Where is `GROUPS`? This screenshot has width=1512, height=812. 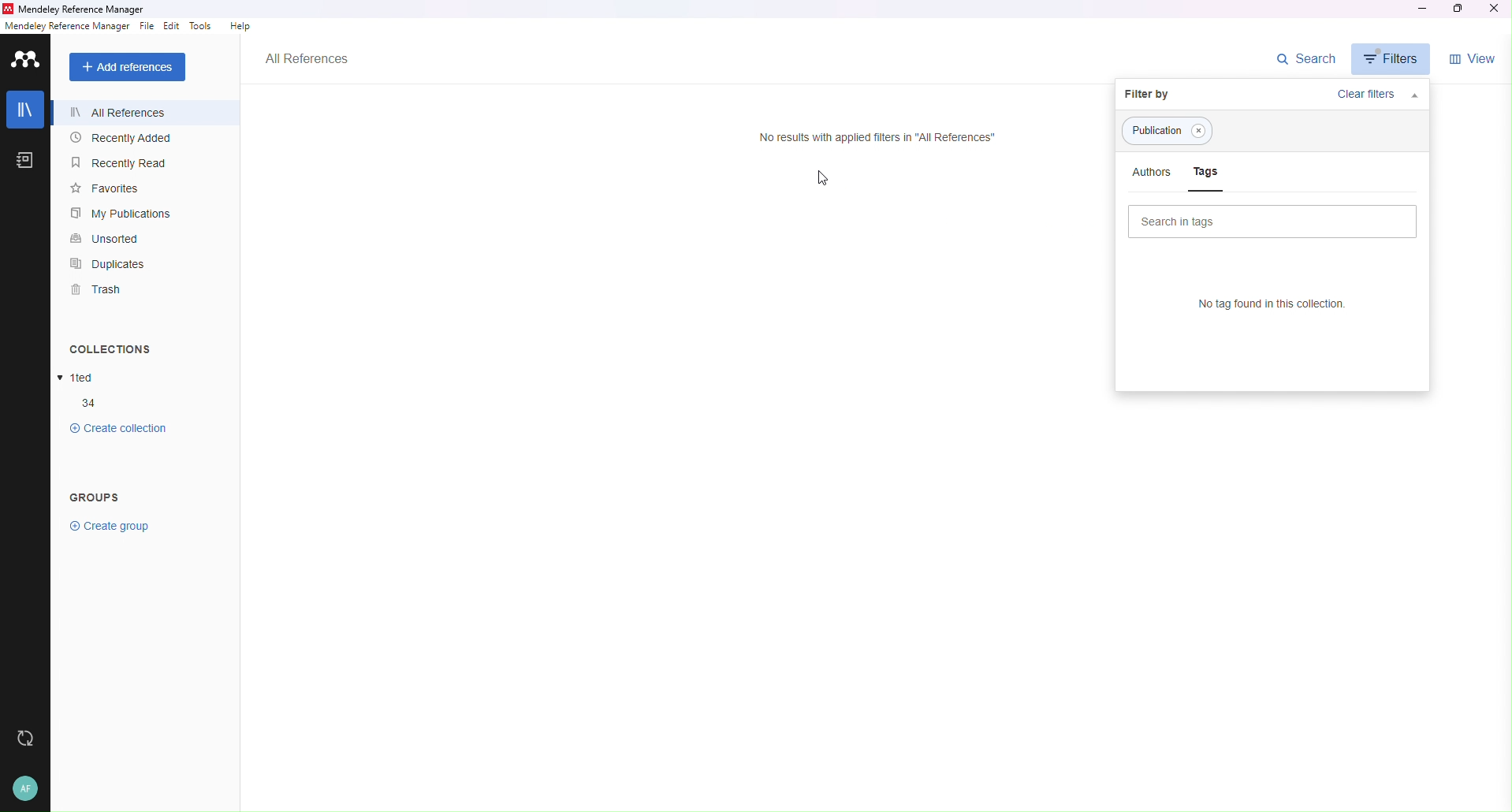
GROUPS is located at coordinates (111, 497).